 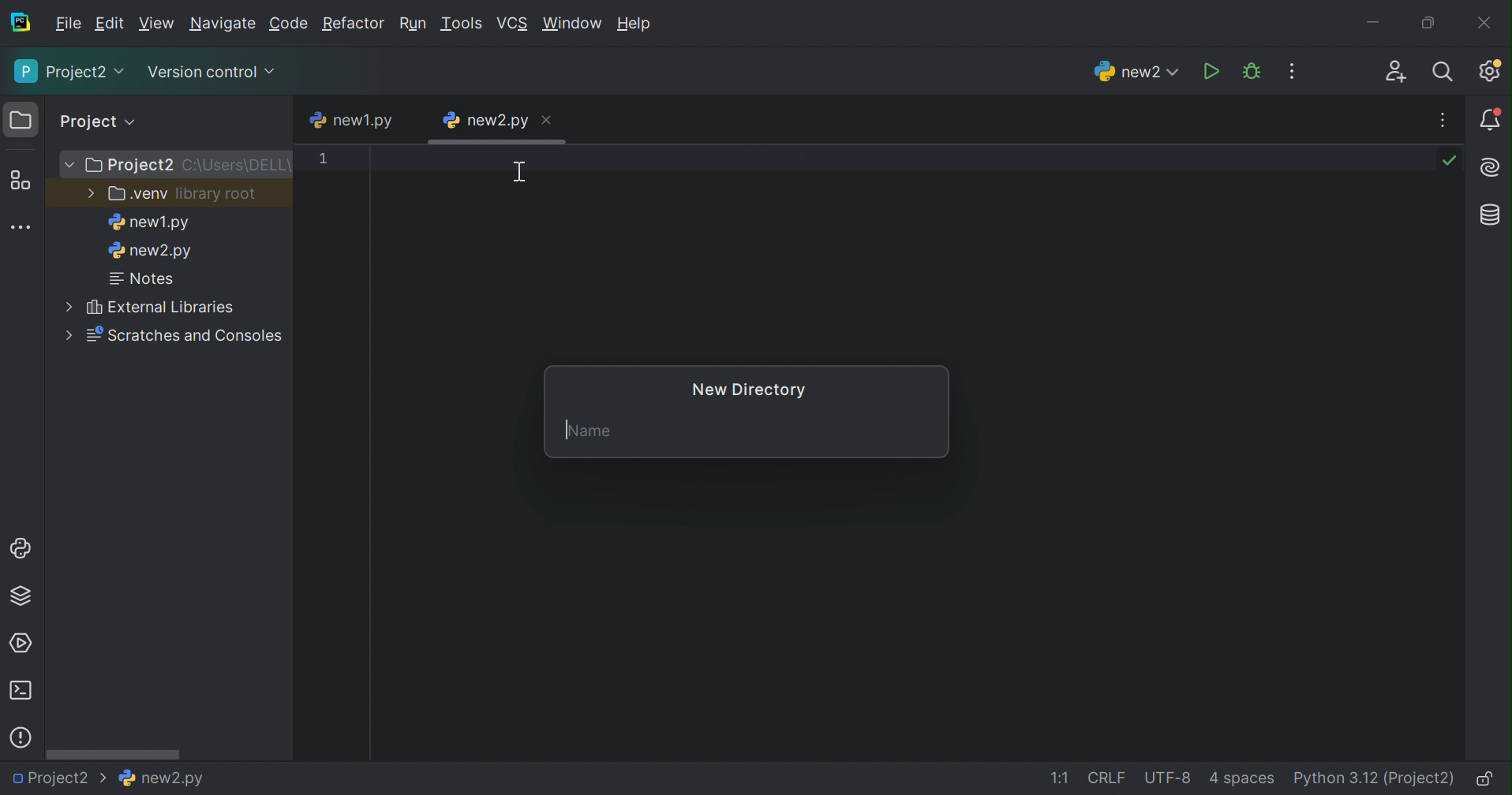 I want to click on VCS, so click(x=515, y=22).